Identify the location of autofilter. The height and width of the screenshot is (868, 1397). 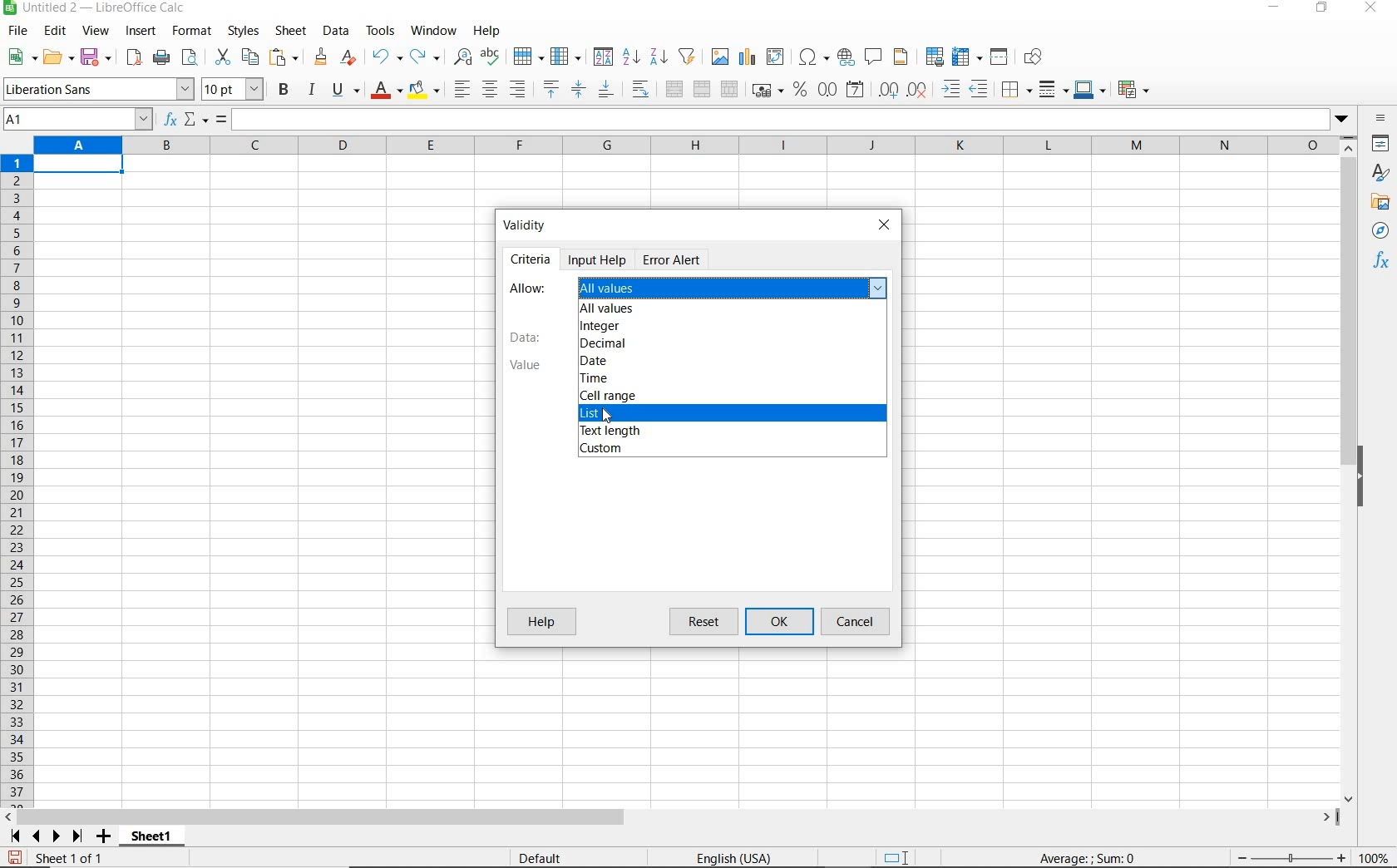
(686, 57).